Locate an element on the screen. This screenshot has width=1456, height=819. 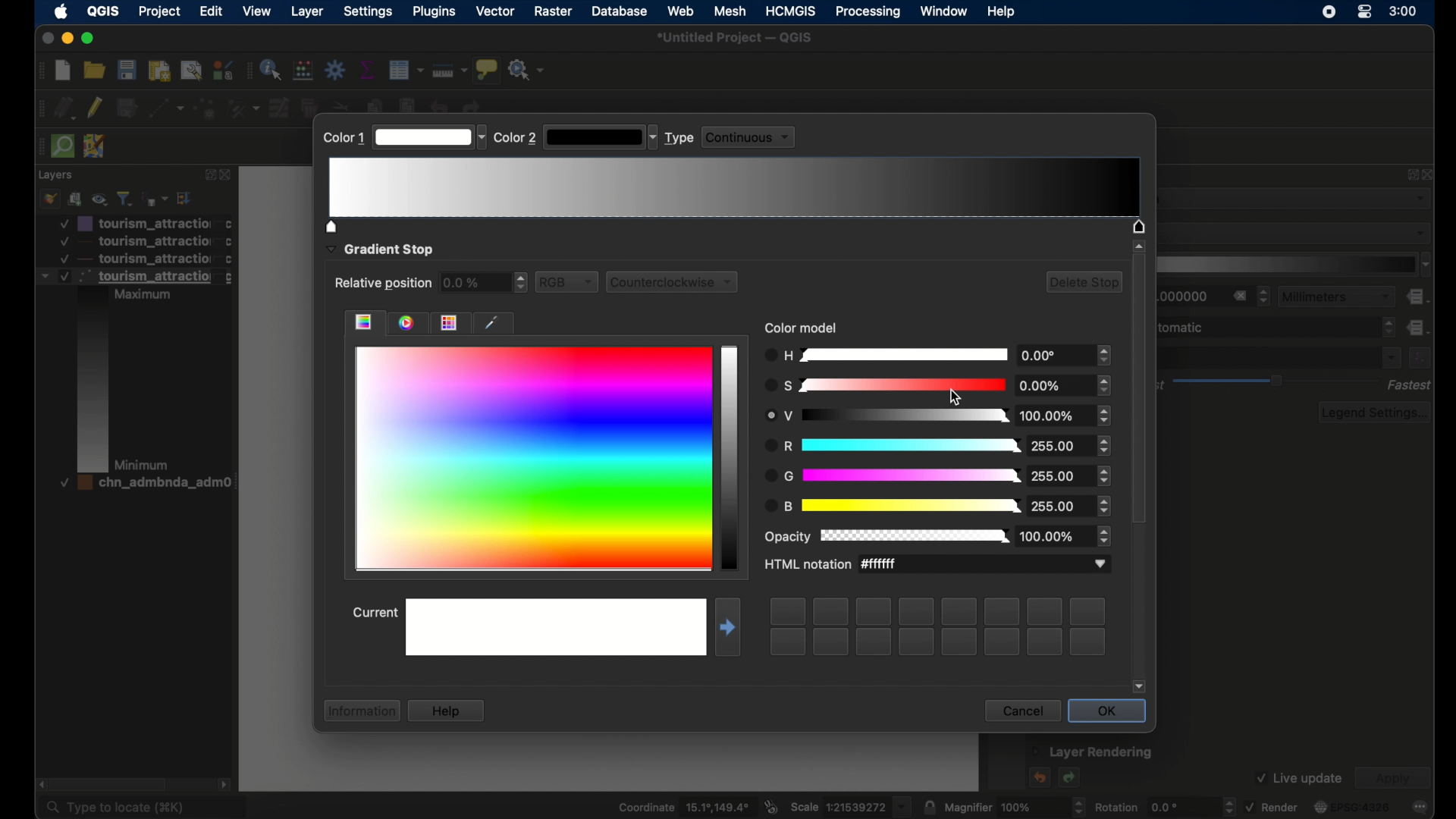
add group is located at coordinates (75, 199).